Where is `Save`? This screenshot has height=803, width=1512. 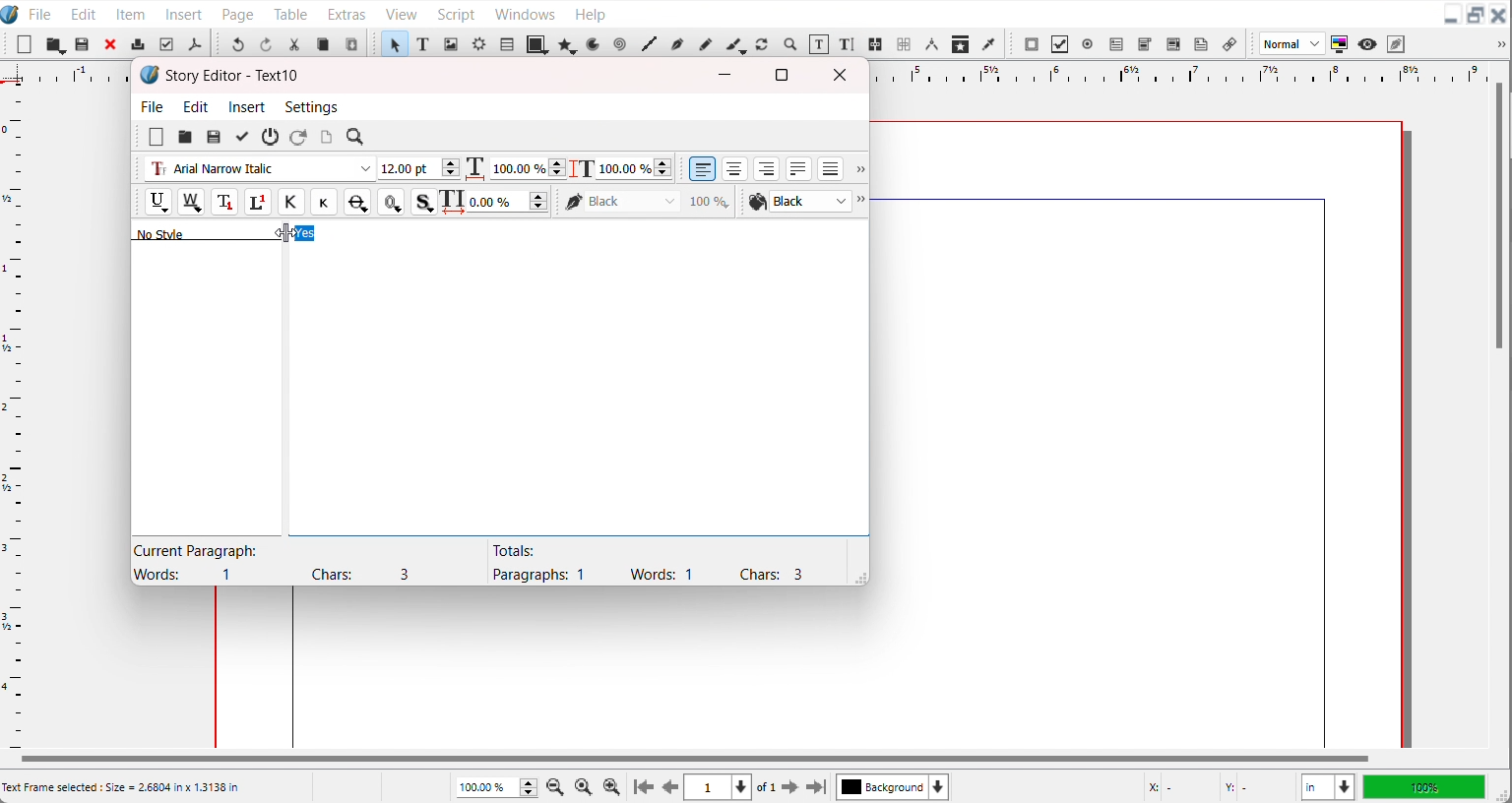
Save is located at coordinates (55, 44).